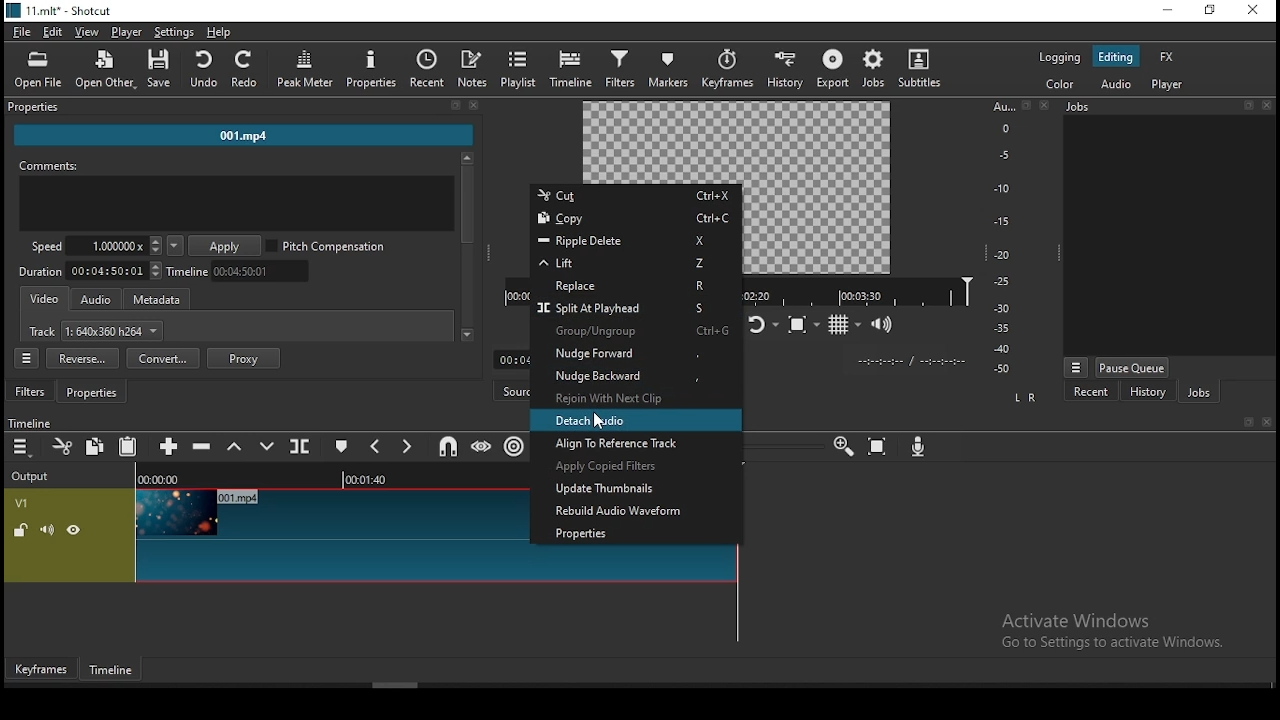  What do you see at coordinates (1114, 84) in the screenshot?
I see `audio` at bounding box center [1114, 84].